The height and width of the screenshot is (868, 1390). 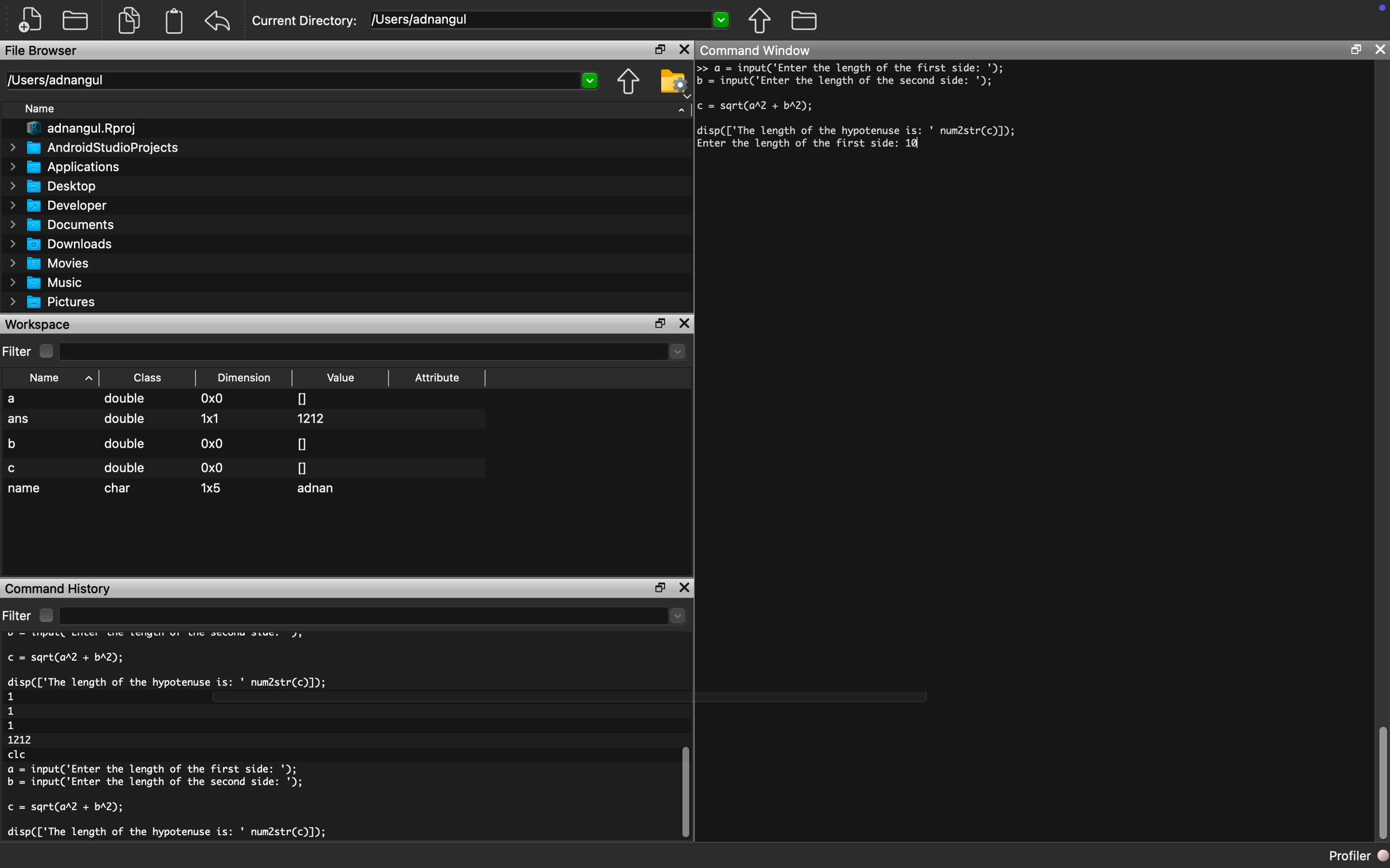 I want to click on c, so click(x=14, y=468).